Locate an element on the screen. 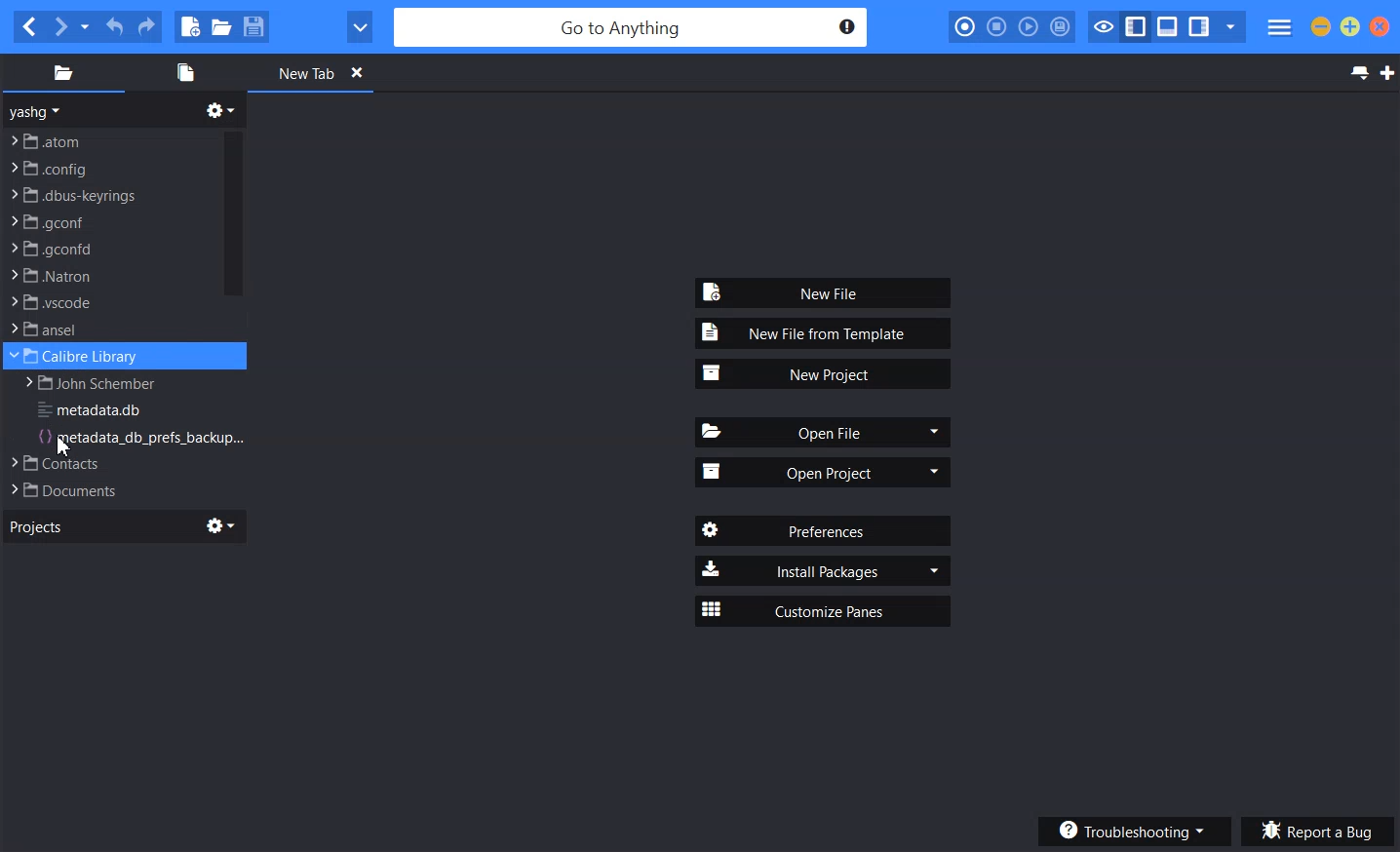 The width and height of the screenshot is (1400, 852). File is located at coordinates (138, 438).